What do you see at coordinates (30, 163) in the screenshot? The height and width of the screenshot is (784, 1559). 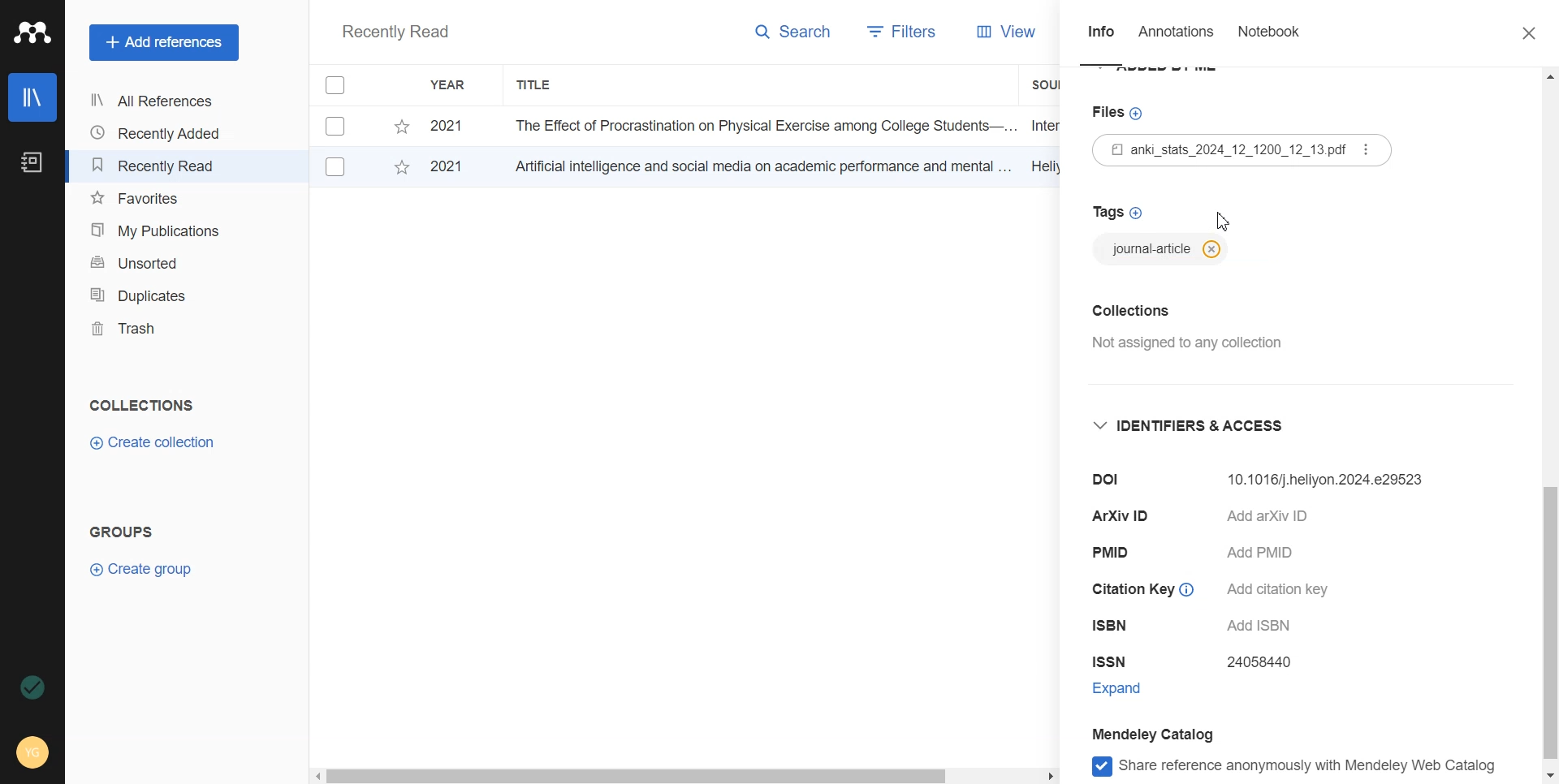 I see `Notebook` at bounding box center [30, 163].